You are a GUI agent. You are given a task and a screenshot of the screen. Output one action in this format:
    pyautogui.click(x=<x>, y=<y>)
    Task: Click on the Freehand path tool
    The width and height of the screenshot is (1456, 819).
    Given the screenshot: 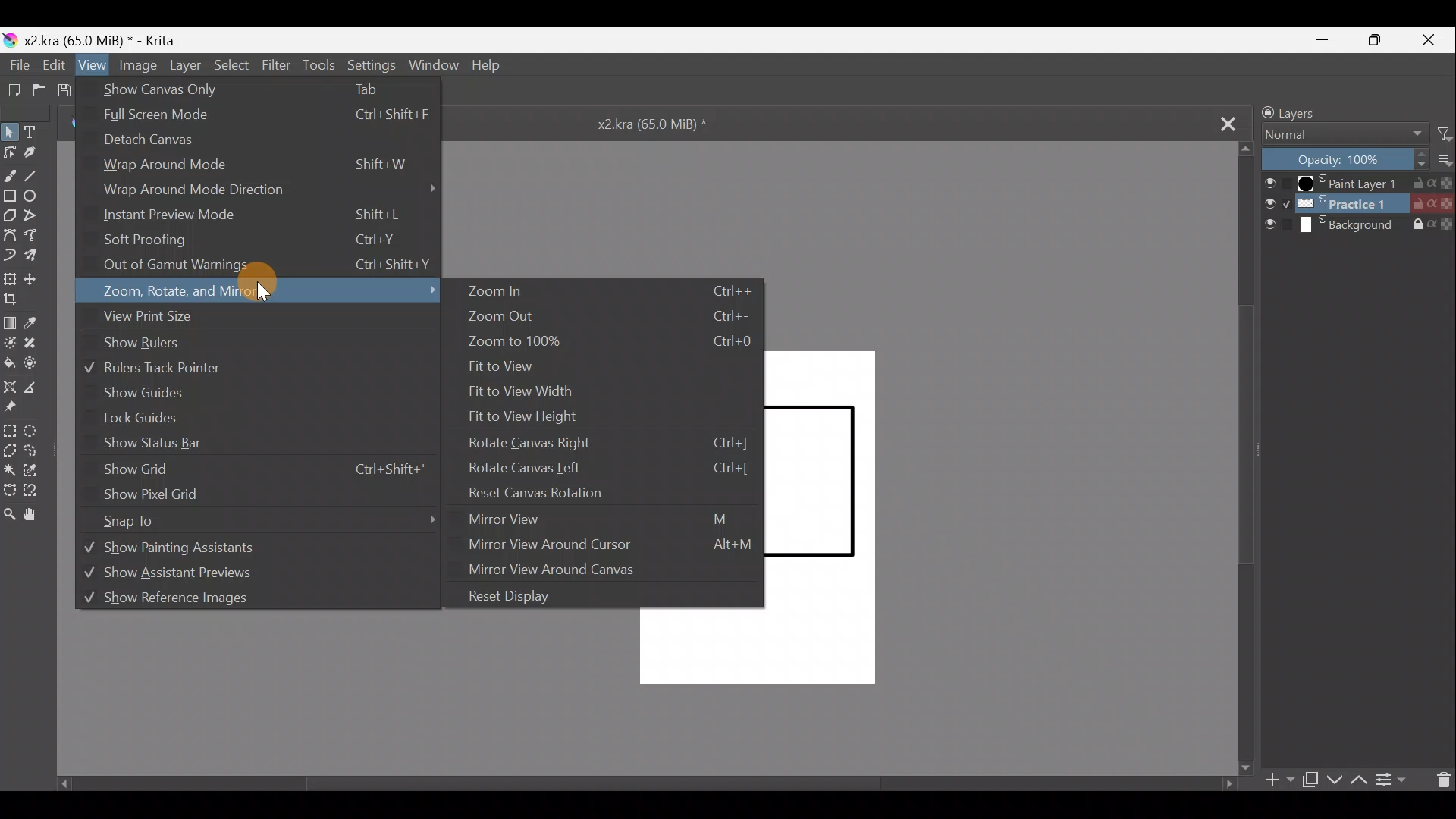 What is the action you would take?
    pyautogui.click(x=37, y=235)
    